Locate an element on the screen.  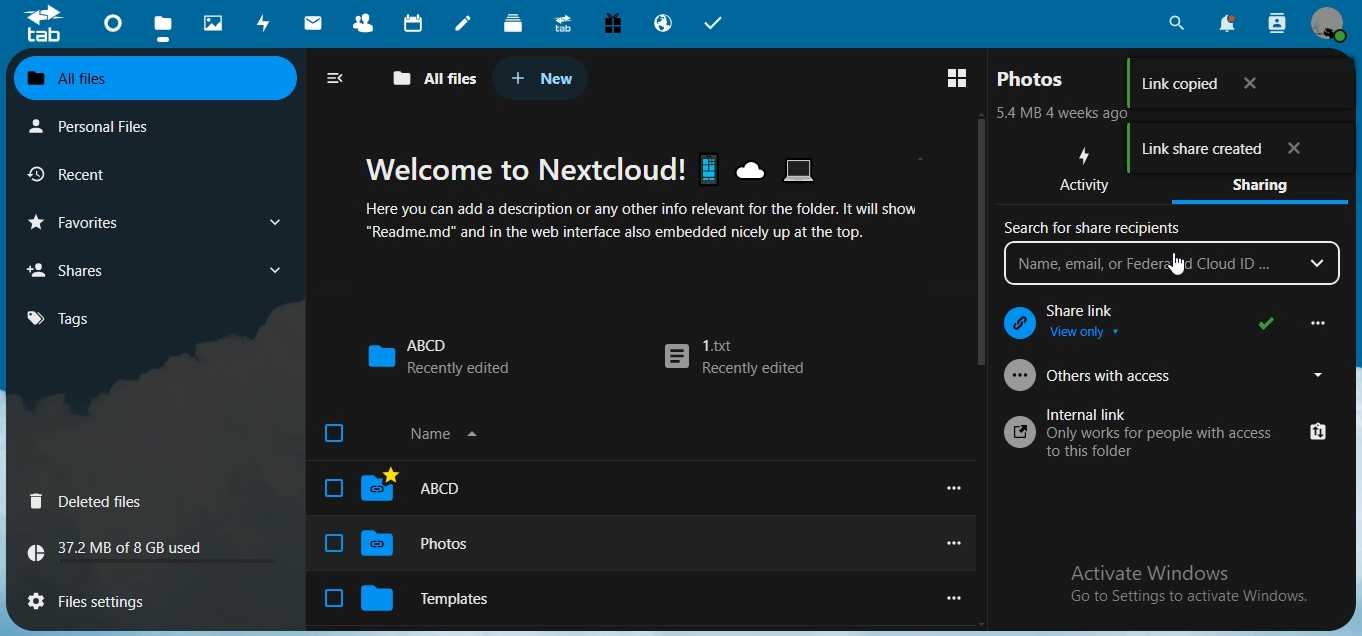
contacts is located at coordinates (369, 25).